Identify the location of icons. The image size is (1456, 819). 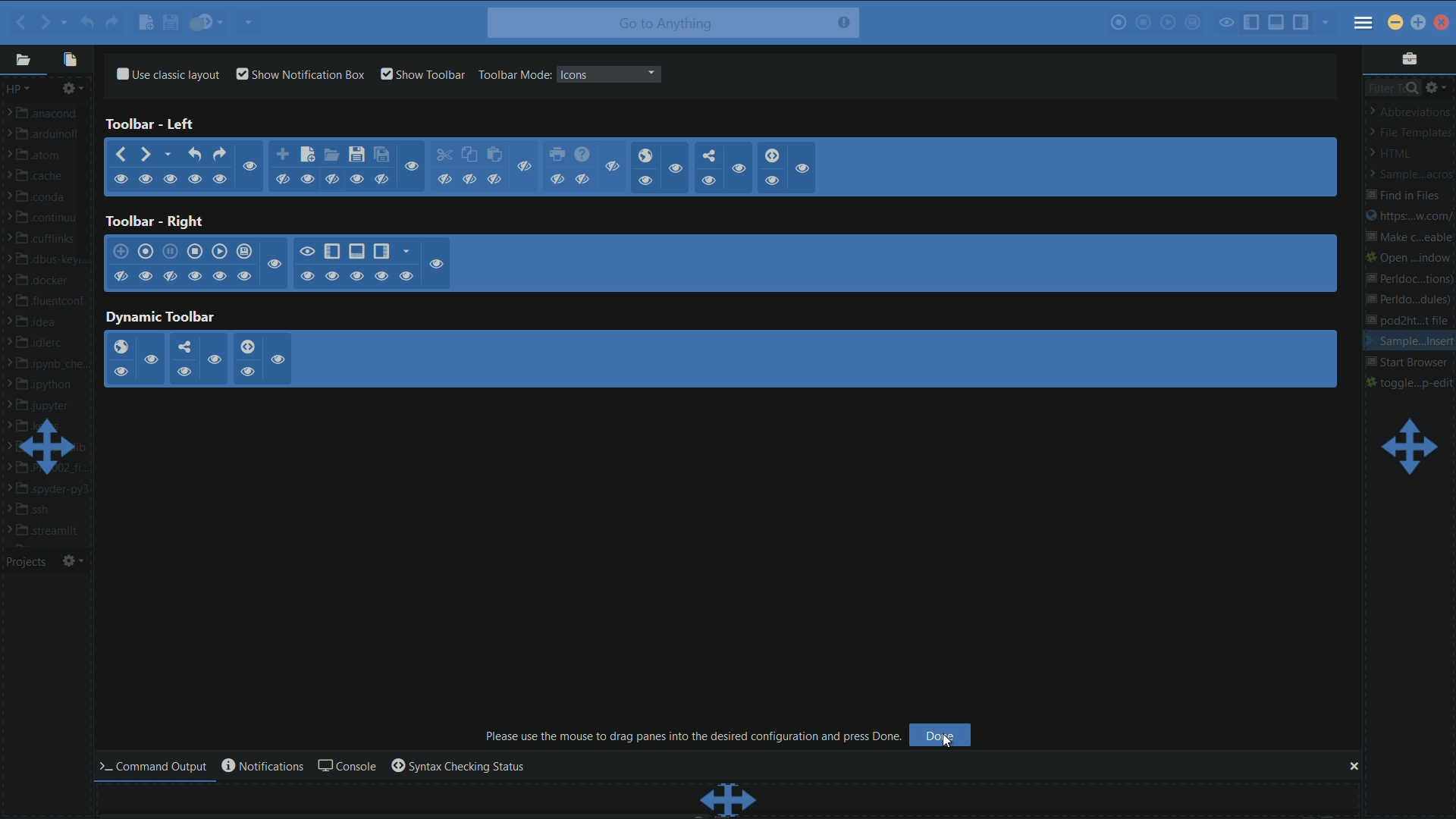
(574, 74).